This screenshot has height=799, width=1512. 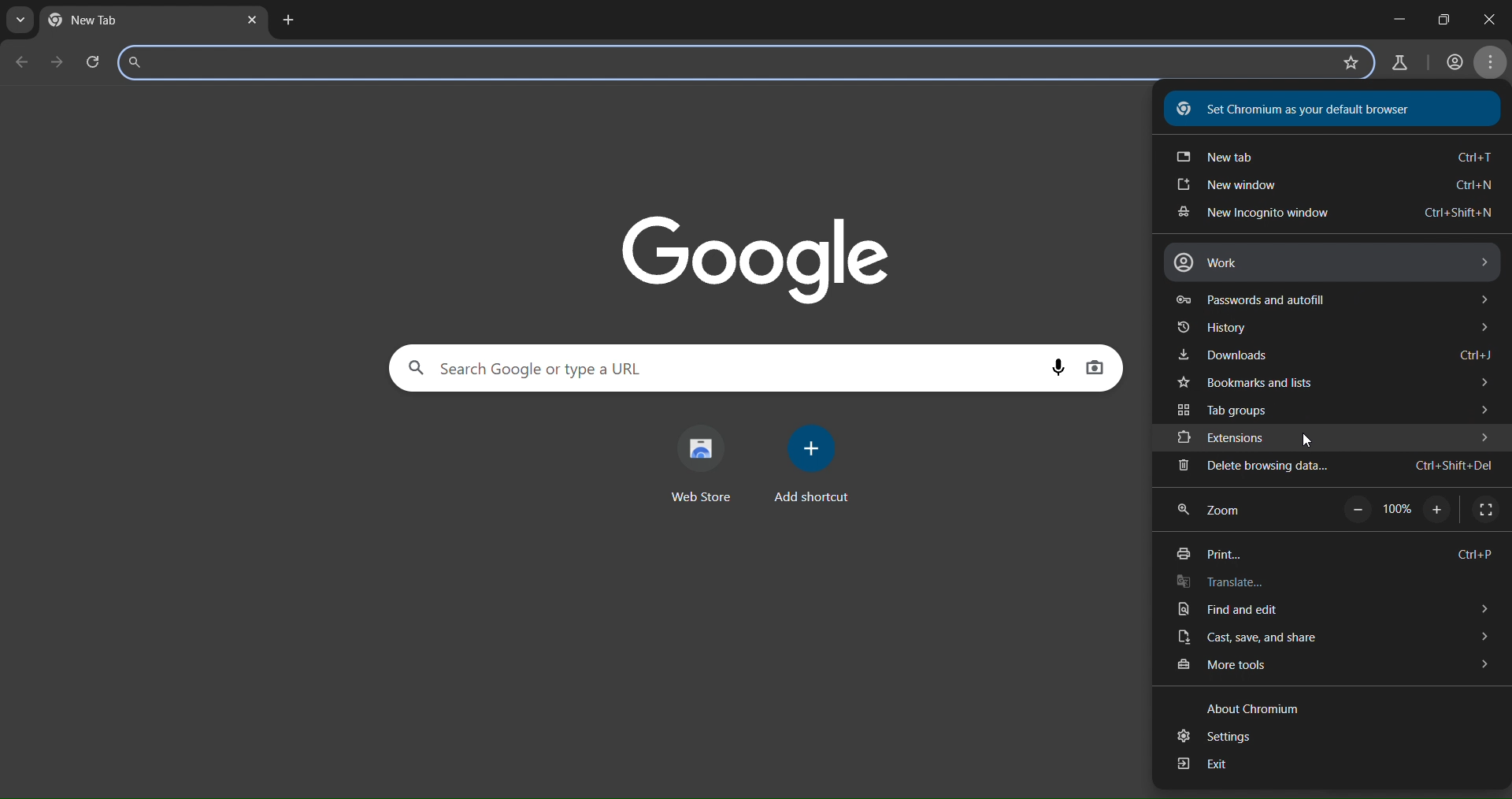 I want to click on downloads , so click(x=1333, y=355).